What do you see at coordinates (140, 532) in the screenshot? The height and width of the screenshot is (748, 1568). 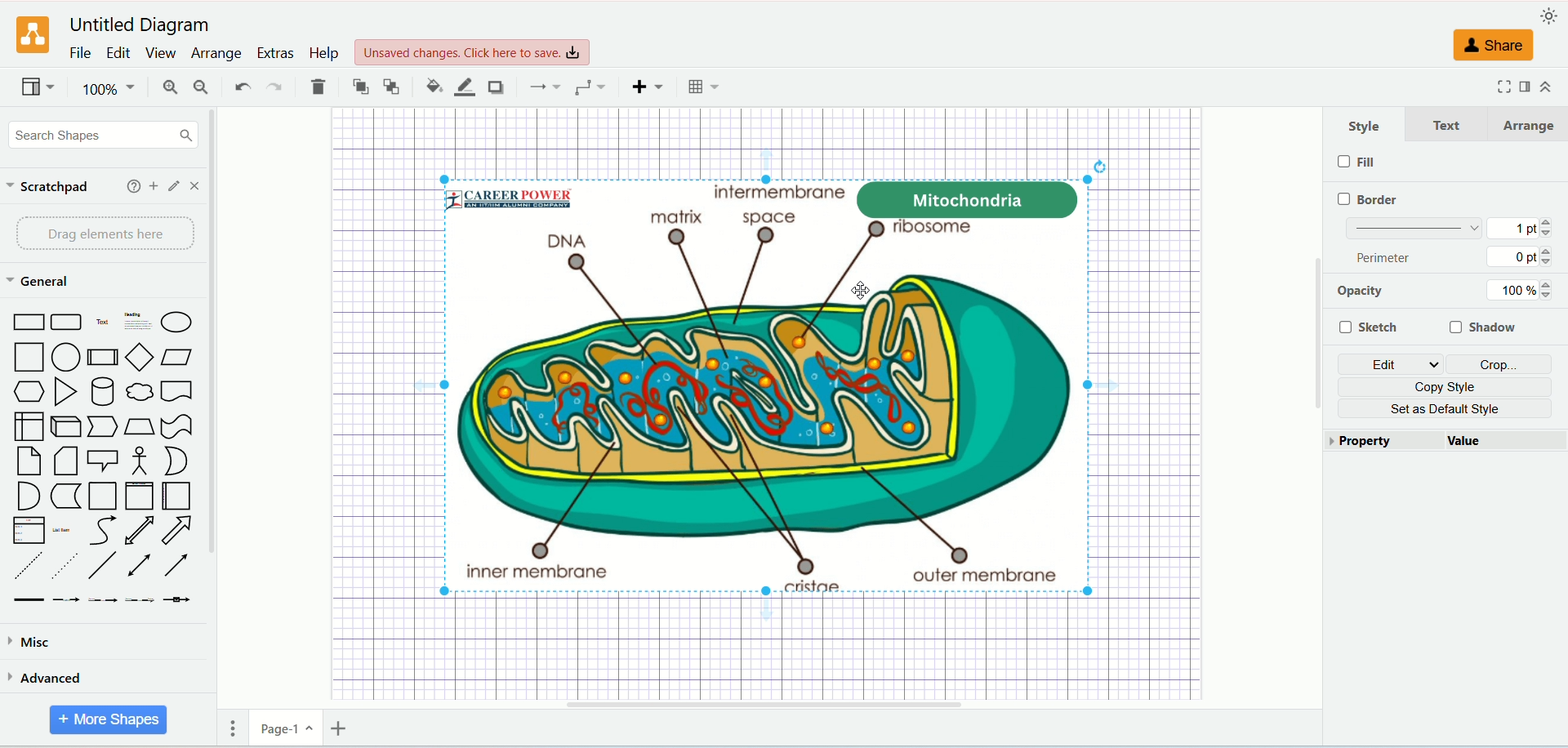 I see `Bidirectional Arrow` at bounding box center [140, 532].